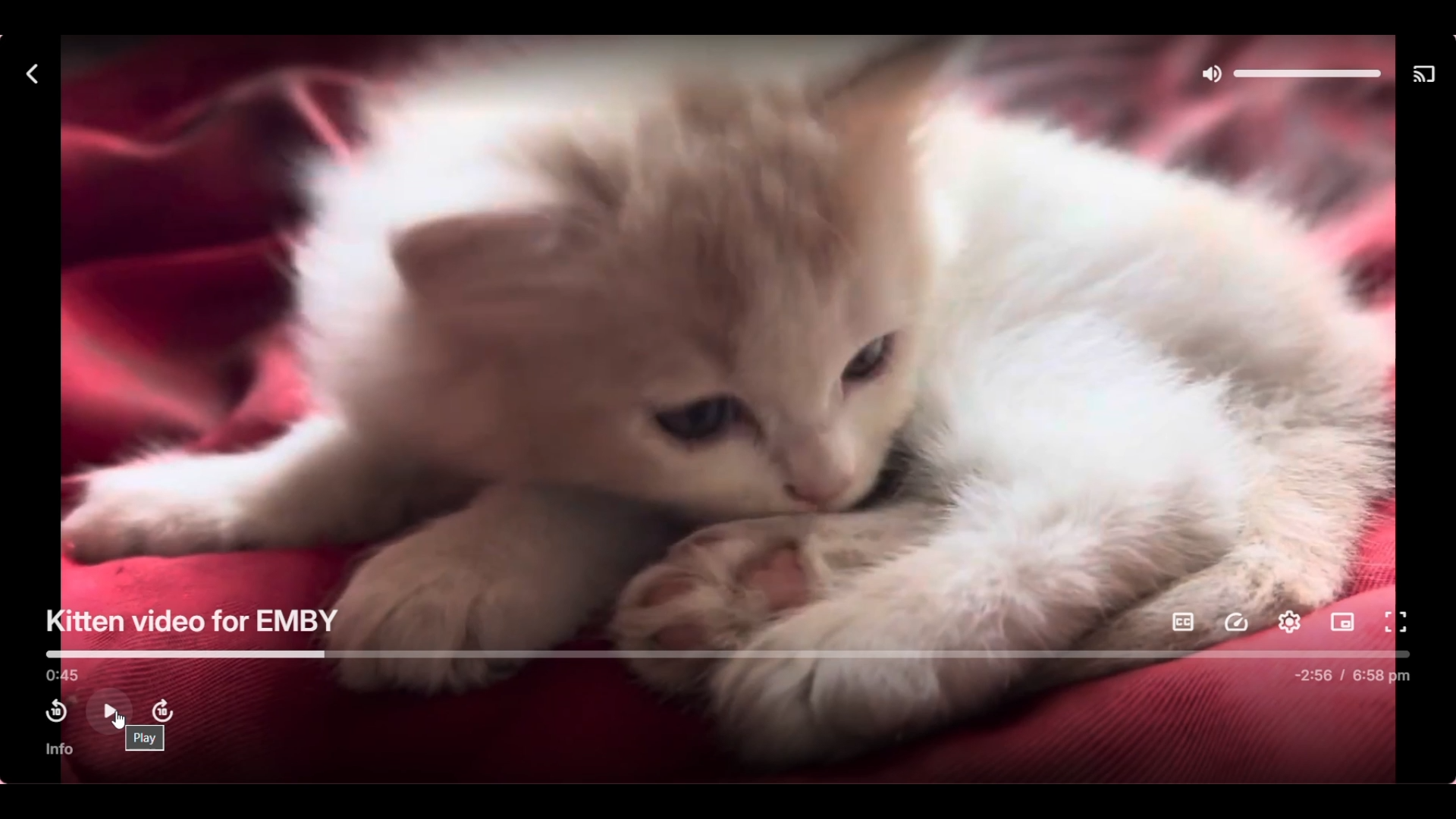  What do you see at coordinates (1184, 623) in the screenshot?
I see `Subtitles` at bounding box center [1184, 623].